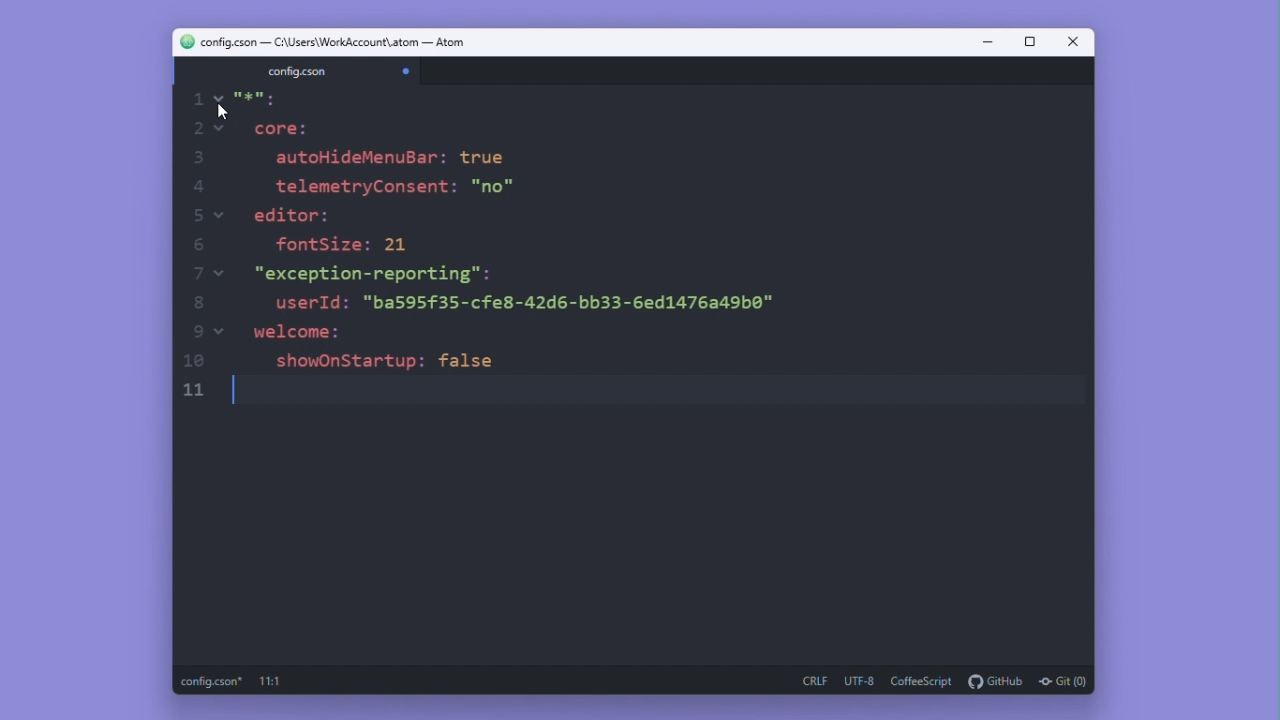 The image size is (1280, 720). I want to click on maximize, so click(1029, 42).